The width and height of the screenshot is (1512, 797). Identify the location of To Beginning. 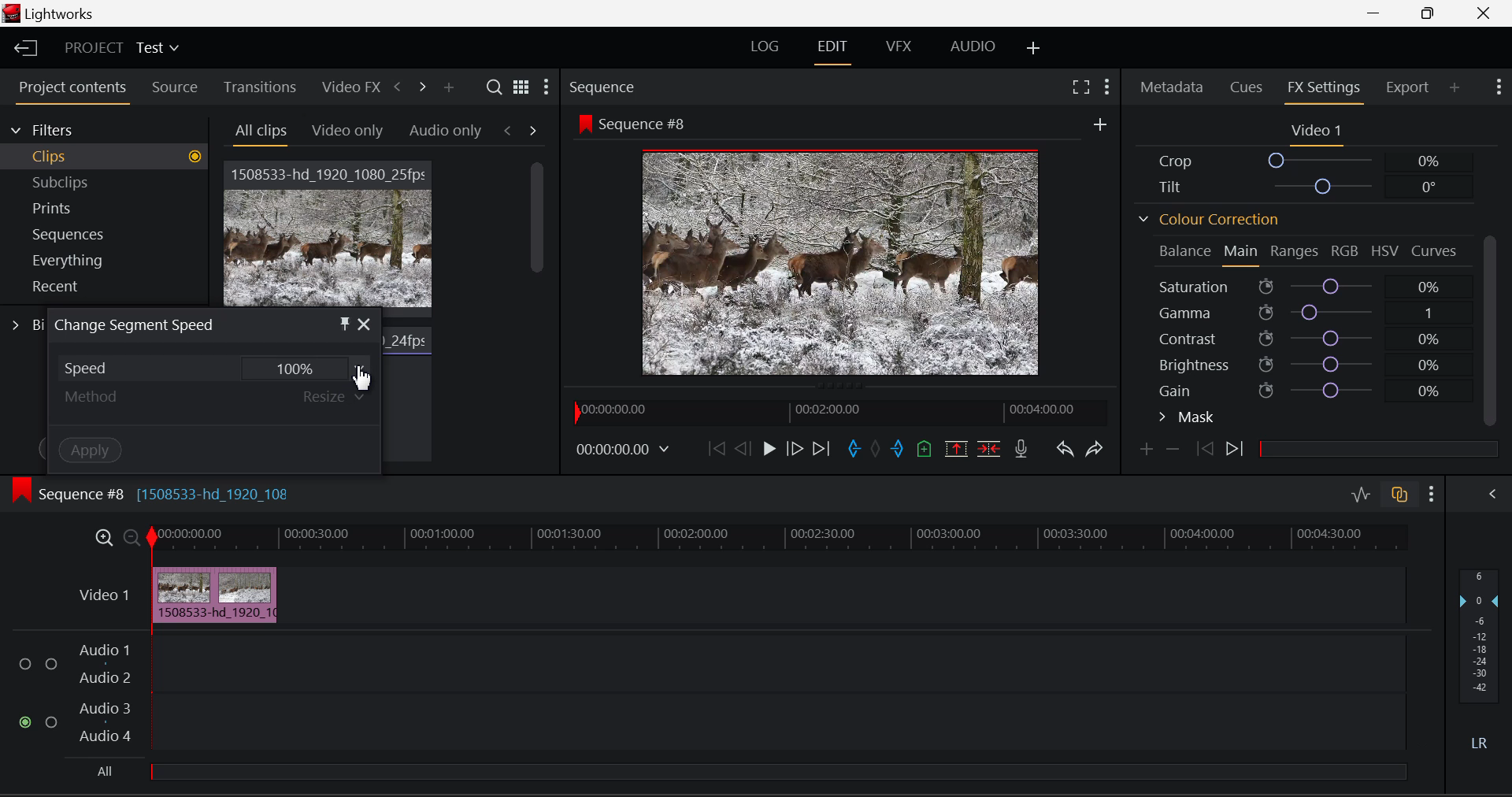
(714, 450).